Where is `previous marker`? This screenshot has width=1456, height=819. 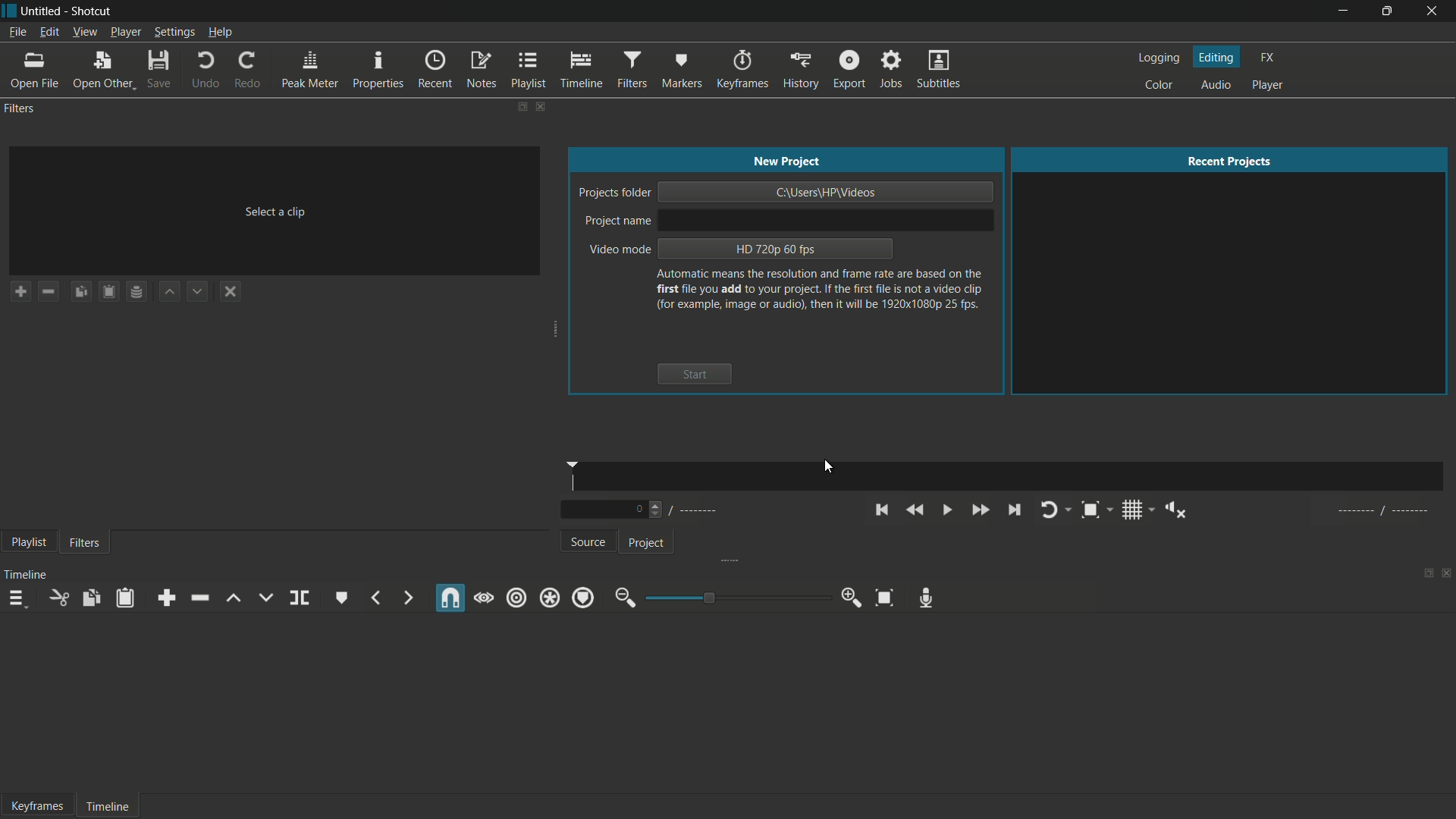 previous marker is located at coordinates (375, 599).